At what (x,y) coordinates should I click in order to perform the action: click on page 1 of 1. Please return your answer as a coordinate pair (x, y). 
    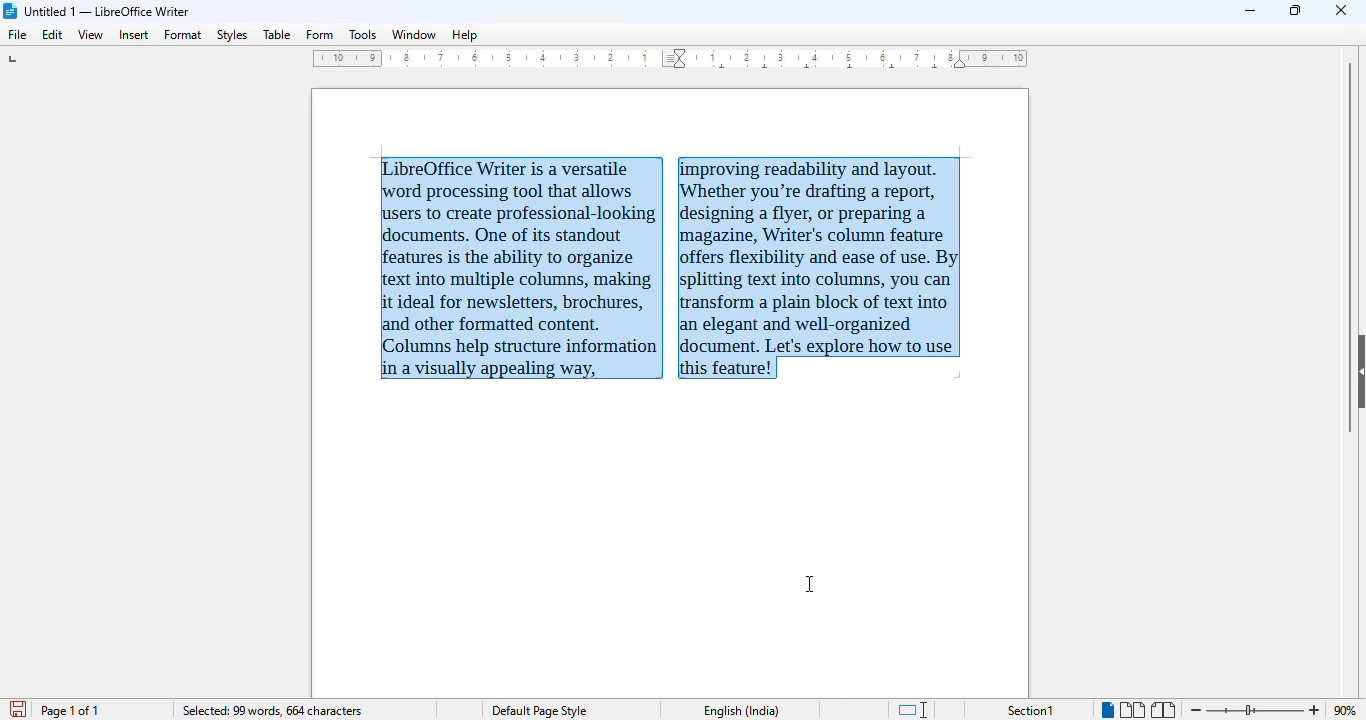
    Looking at the image, I should click on (70, 711).